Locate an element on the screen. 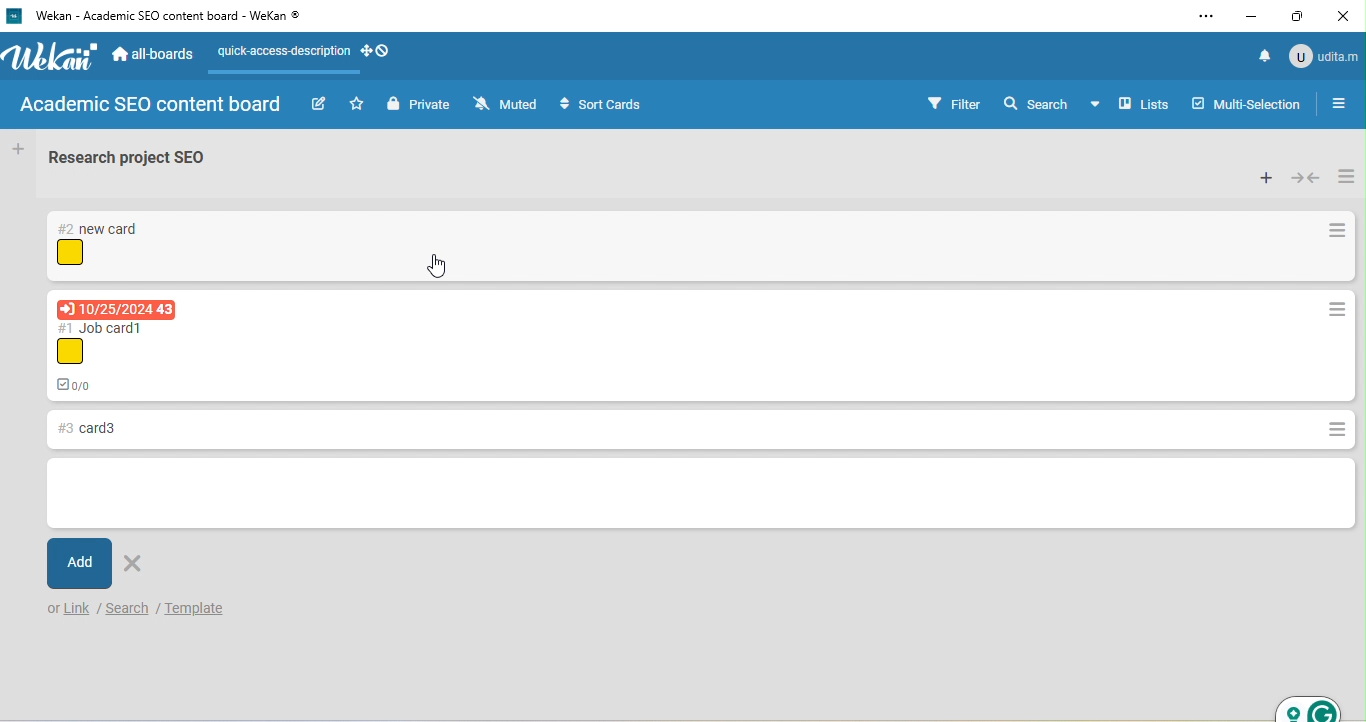  edit is located at coordinates (318, 105).